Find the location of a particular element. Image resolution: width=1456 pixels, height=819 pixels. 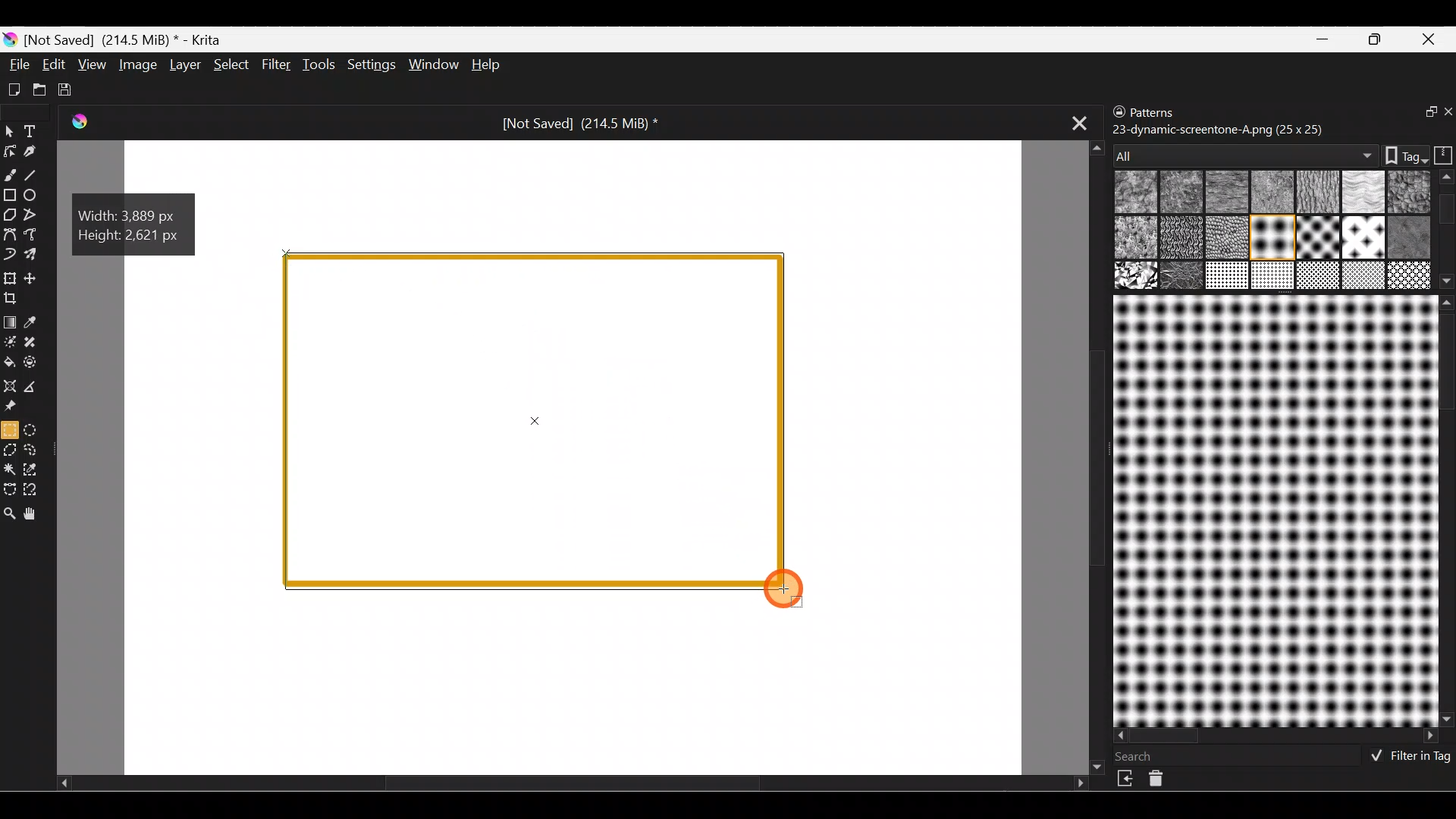

09 drawed_crosshatched.png is located at coordinates (1181, 239).